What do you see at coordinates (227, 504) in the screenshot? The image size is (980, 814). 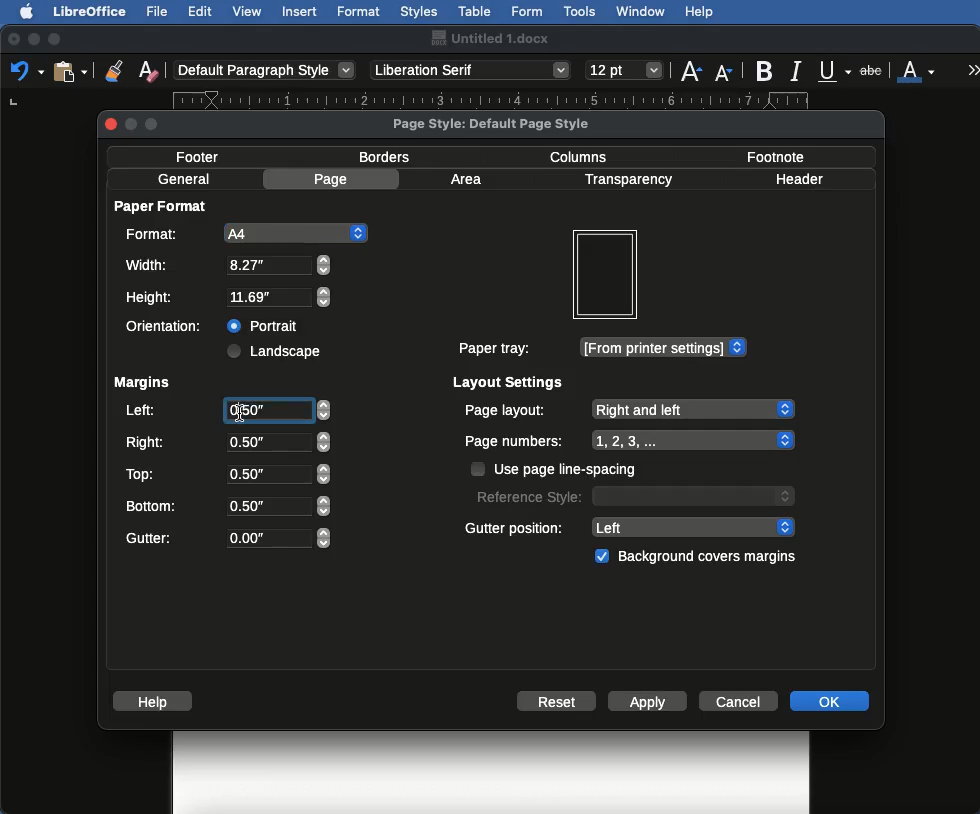 I see `Bottom` at bounding box center [227, 504].